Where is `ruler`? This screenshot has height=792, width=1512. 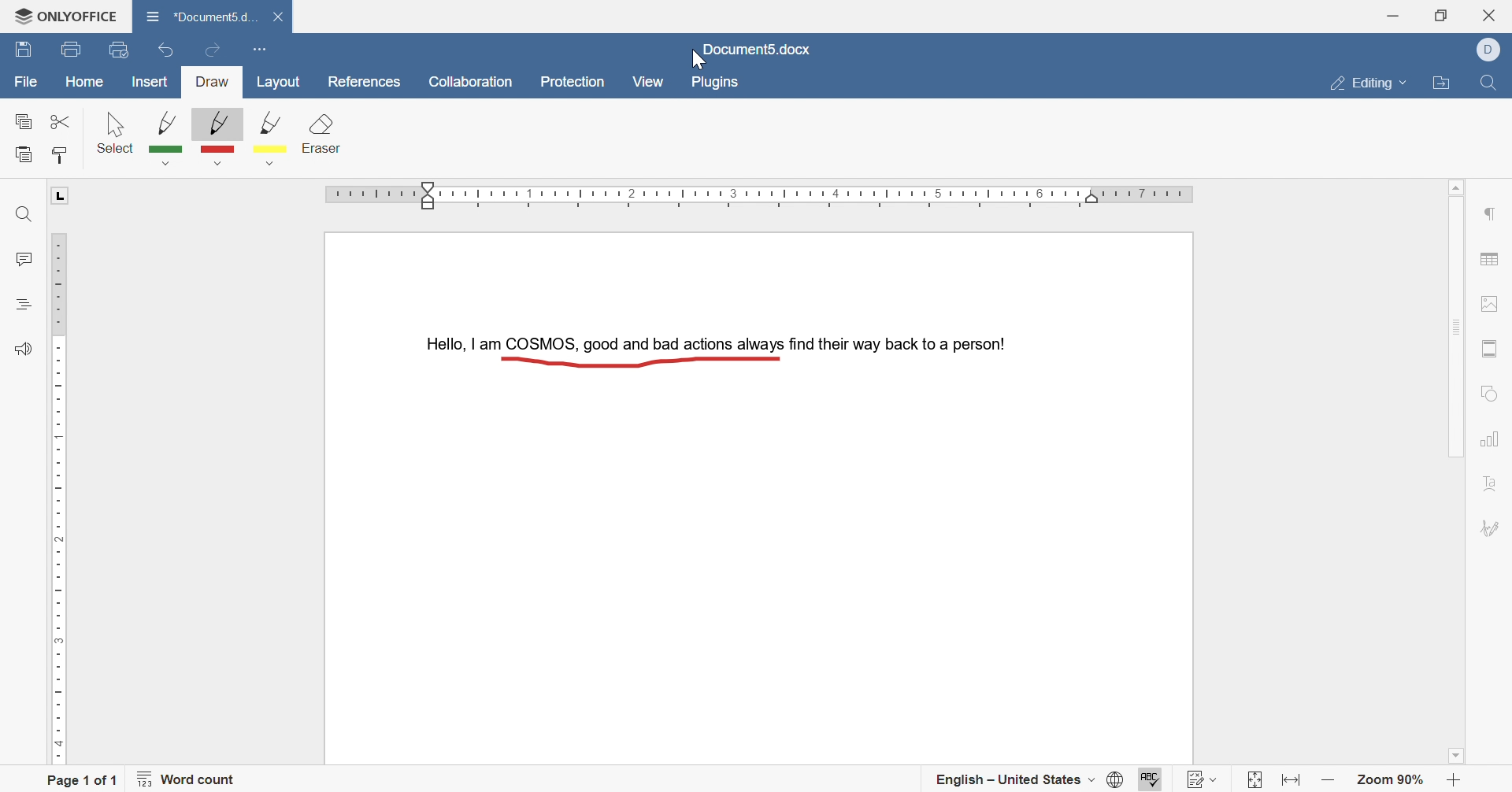
ruler is located at coordinates (764, 196).